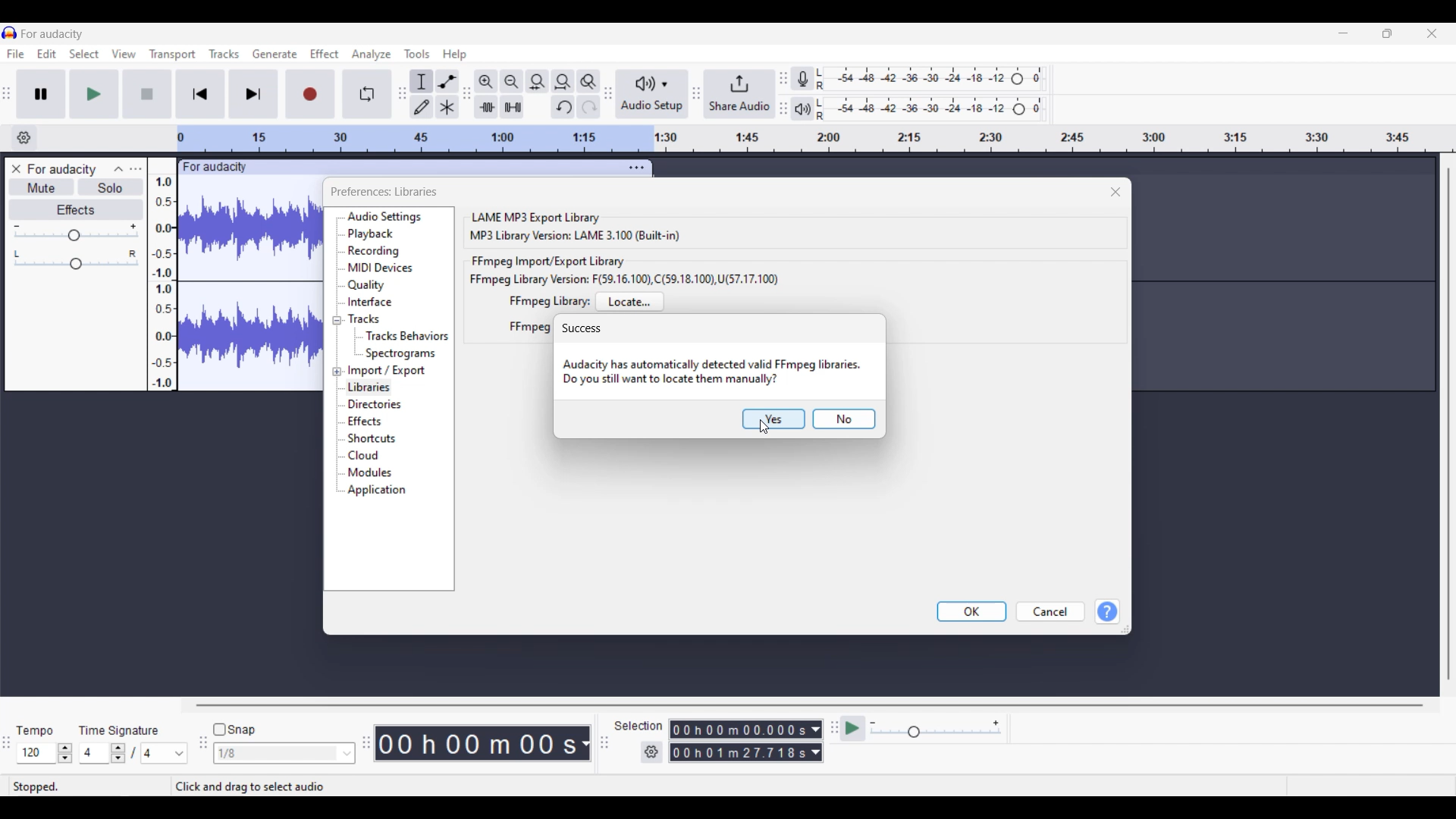 The image size is (1456, 819). What do you see at coordinates (147, 94) in the screenshot?
I see `Stop` at bounding box center [147, 94].